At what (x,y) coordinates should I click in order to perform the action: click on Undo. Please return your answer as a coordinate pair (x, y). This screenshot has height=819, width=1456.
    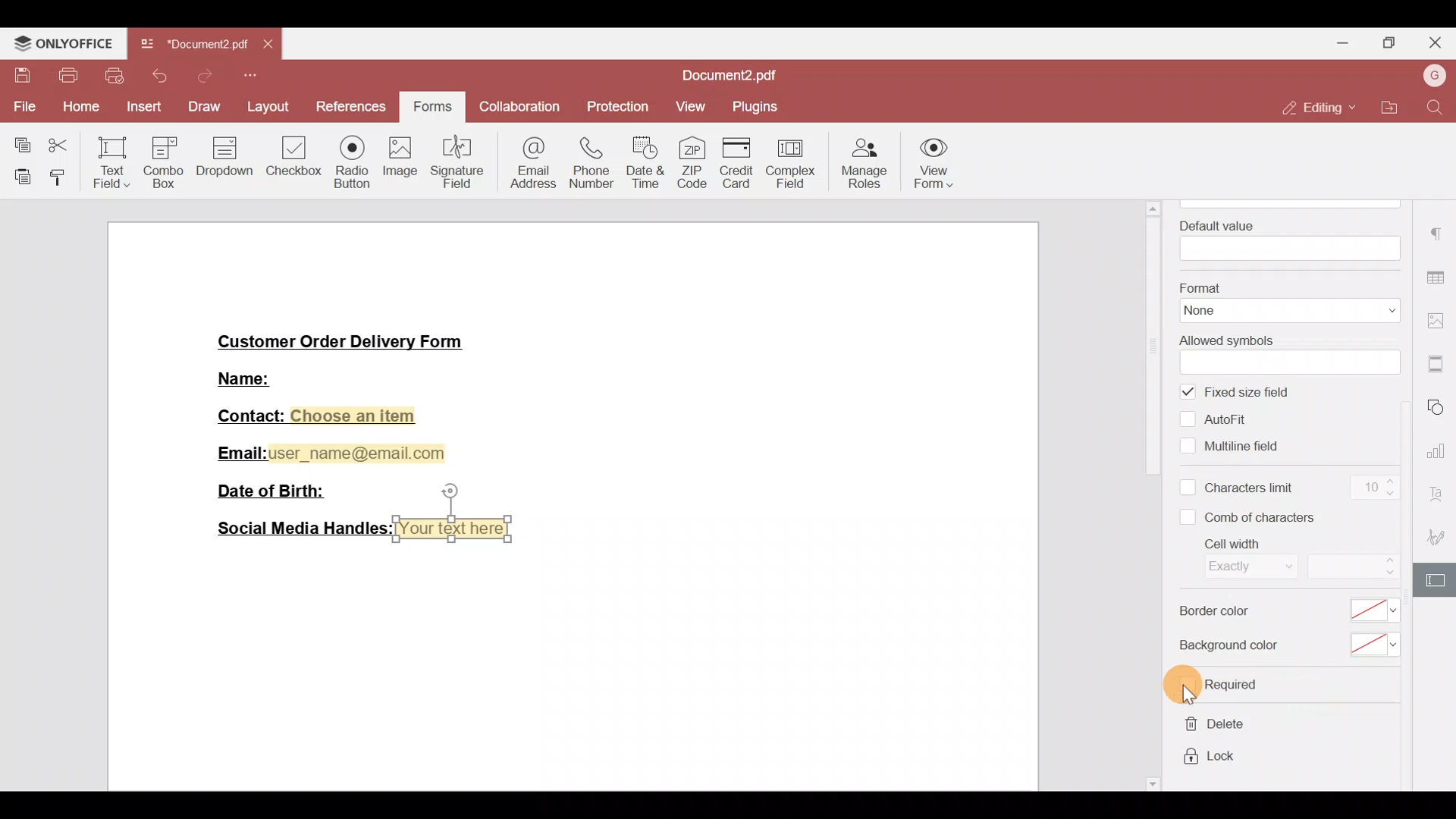
    Looking at the image, I should click on (162, 76).